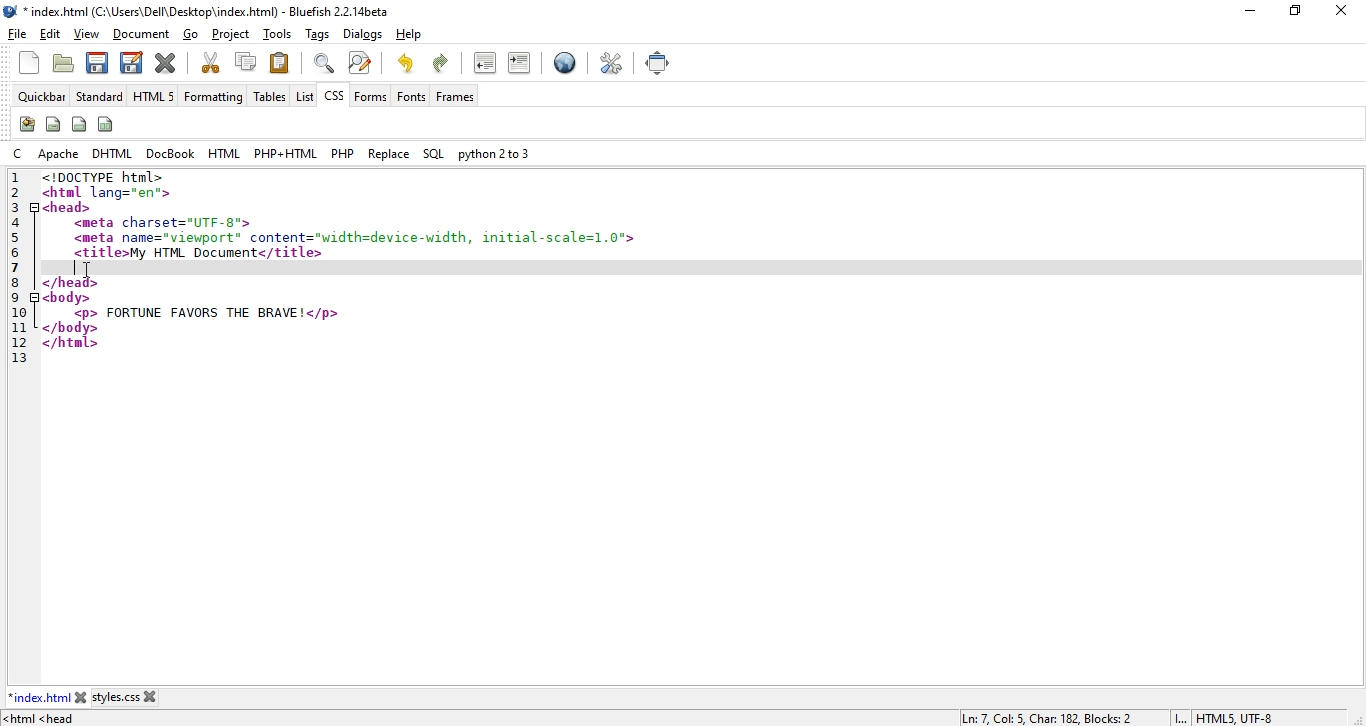 The image size is (1366, 726). Describe the element at coordinates (319, 35) in the screenshot. I see `tags` at that location.